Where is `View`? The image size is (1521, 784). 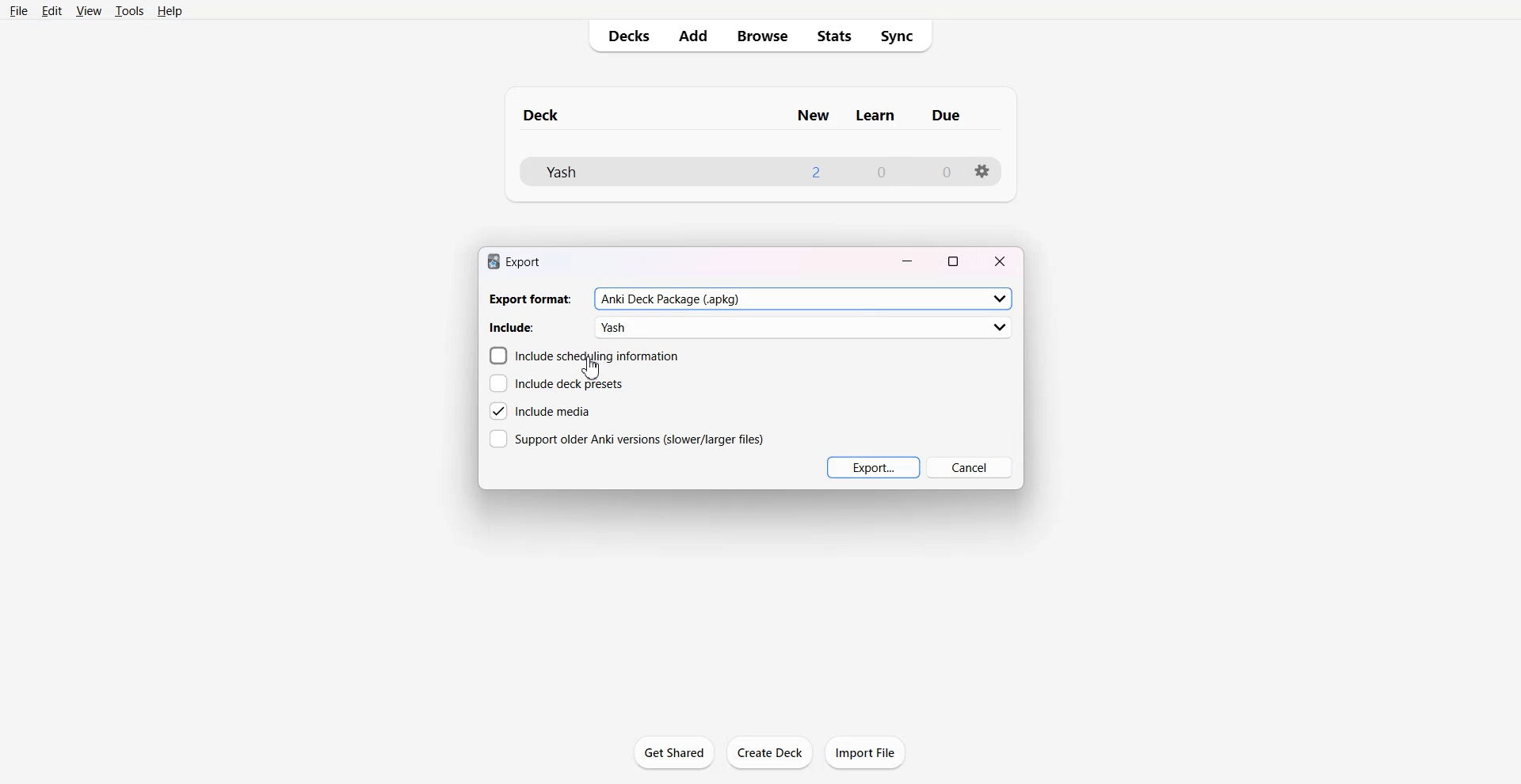 View is located at coordinates (89, 12).